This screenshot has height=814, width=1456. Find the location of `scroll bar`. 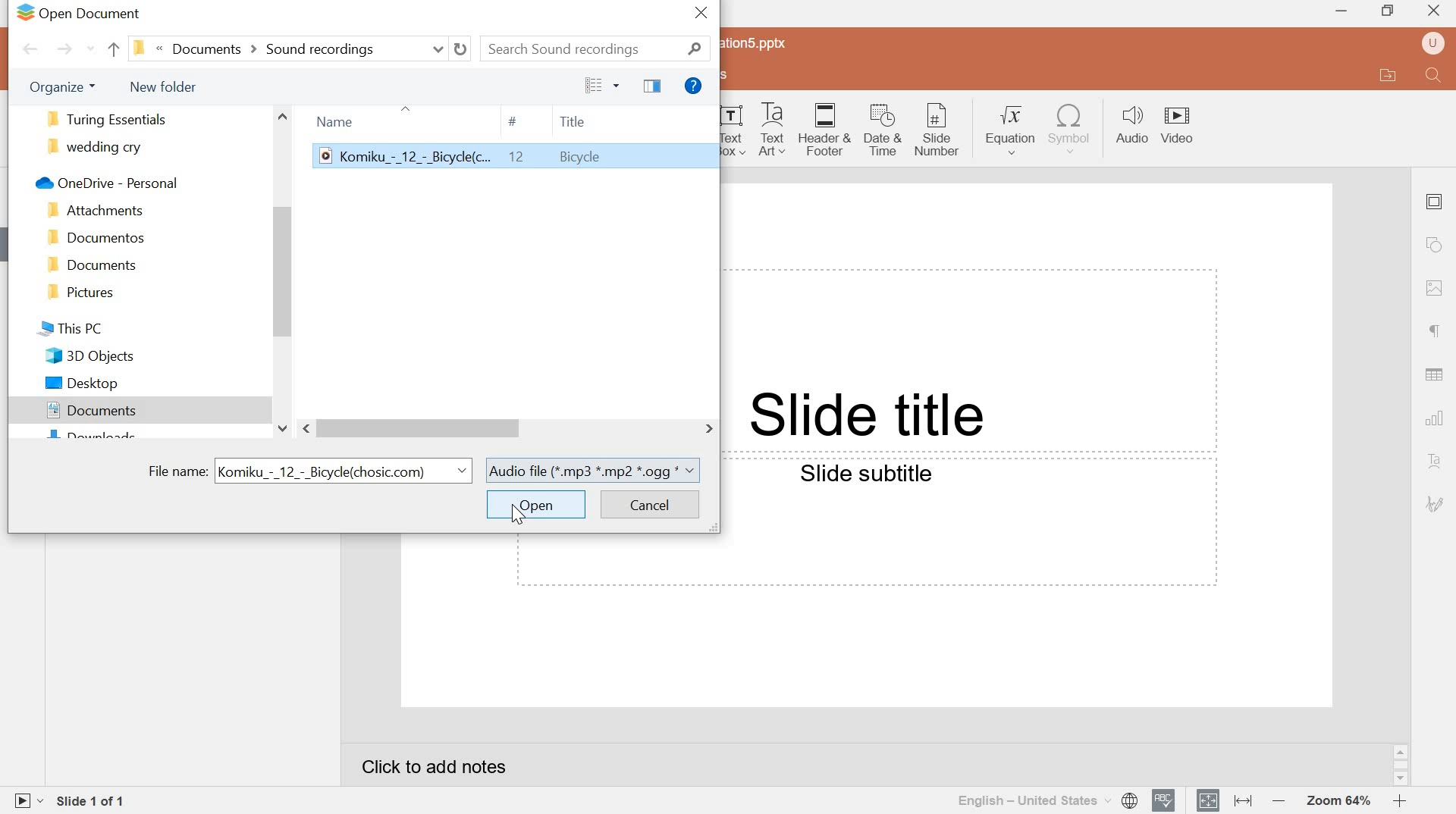

scroll bar is located at coordinates (417, 429).